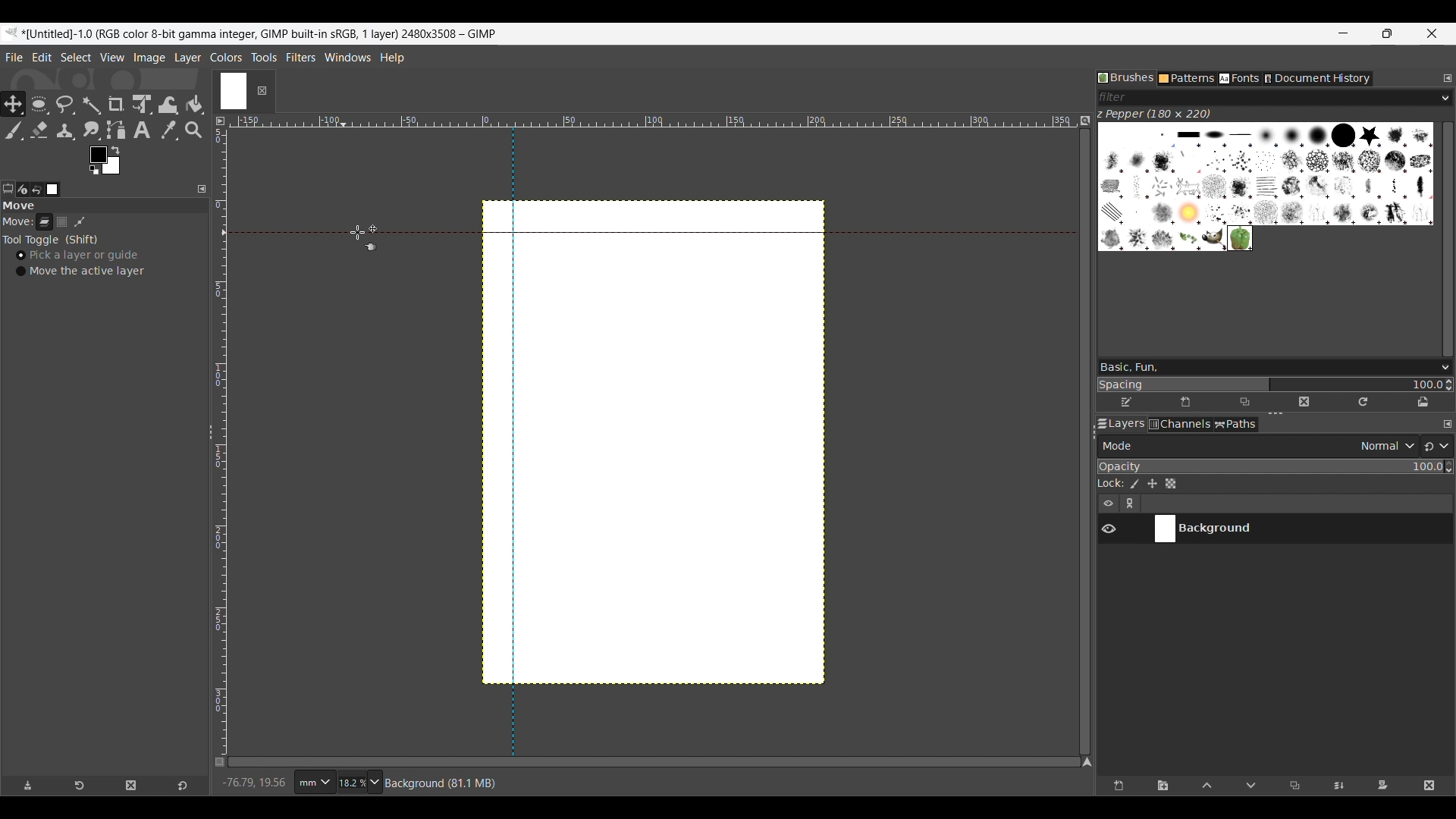 The height and width of the screenshot is (819, 1456). Describe the element at coordinates (1423, 403) in the screenshot. I see `Open brush as image` at that location.